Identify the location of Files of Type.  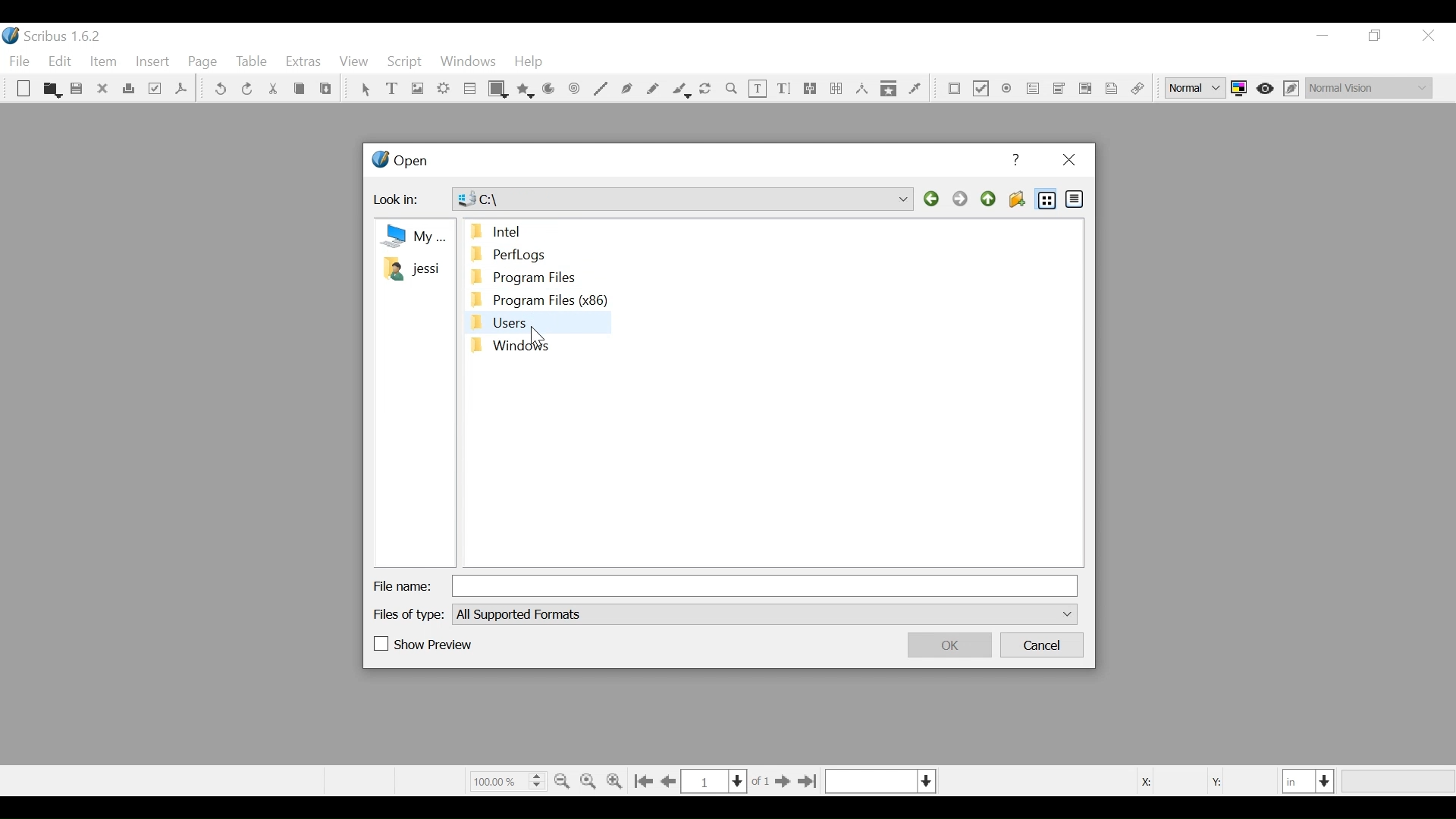
(410, 613).